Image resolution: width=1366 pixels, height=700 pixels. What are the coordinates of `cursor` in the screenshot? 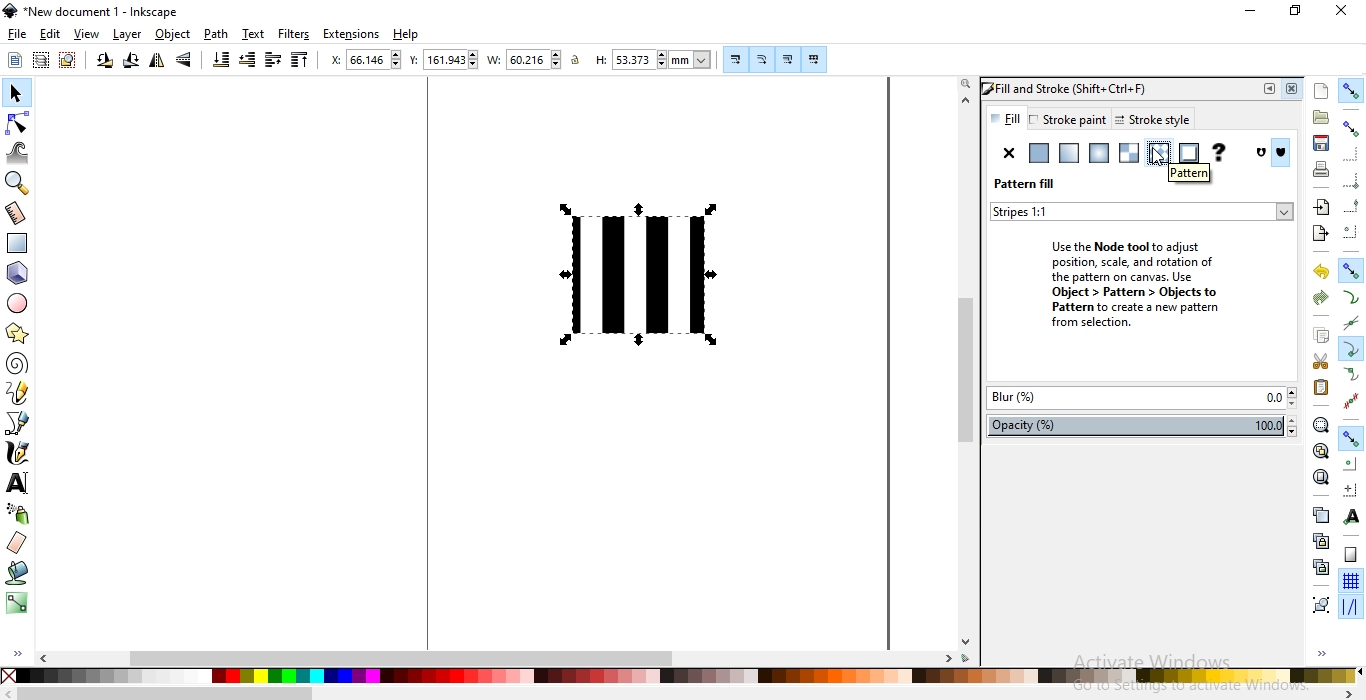 It's located at (1165, 159).